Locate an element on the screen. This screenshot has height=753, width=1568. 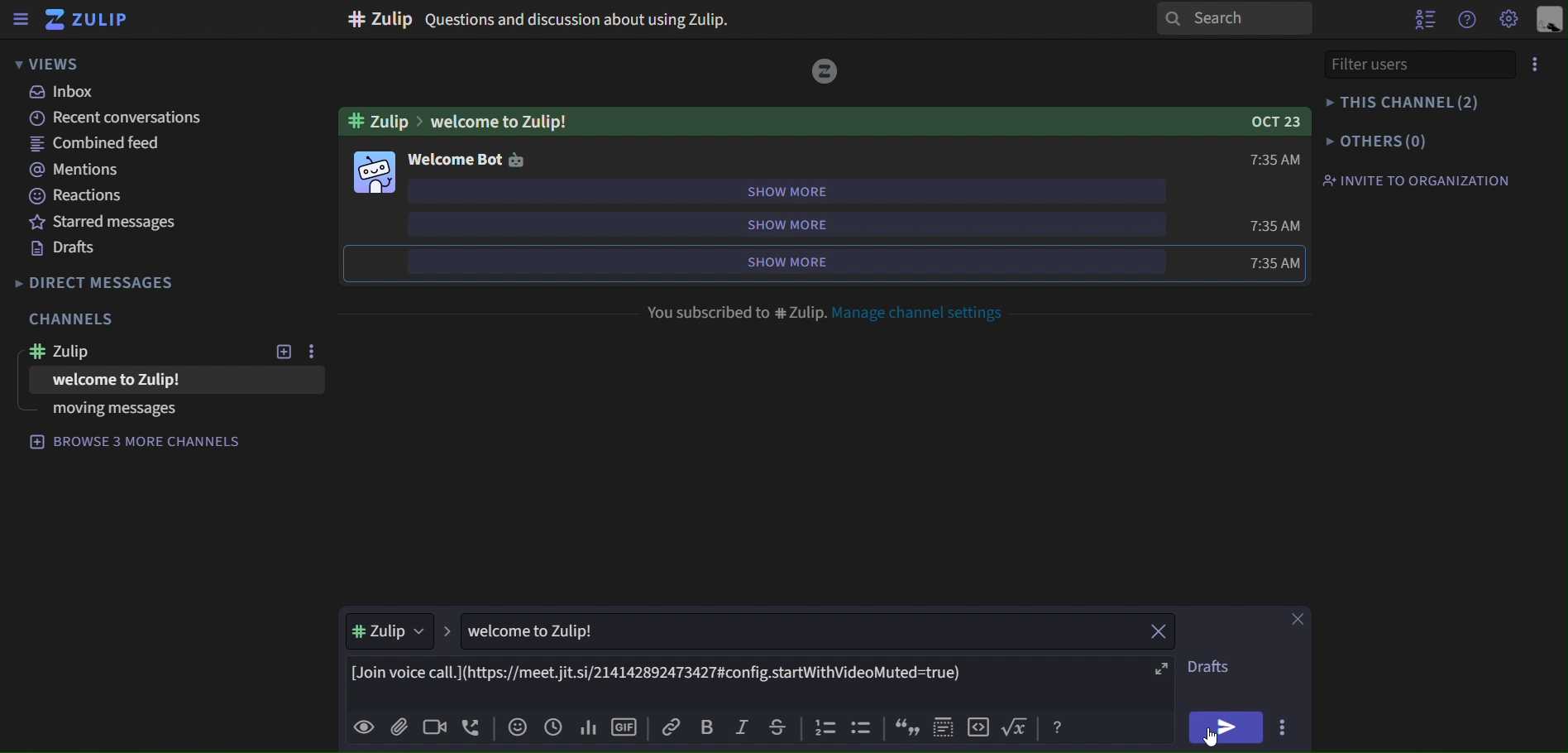
7:35 AM is located at coordinates (1274, 242).